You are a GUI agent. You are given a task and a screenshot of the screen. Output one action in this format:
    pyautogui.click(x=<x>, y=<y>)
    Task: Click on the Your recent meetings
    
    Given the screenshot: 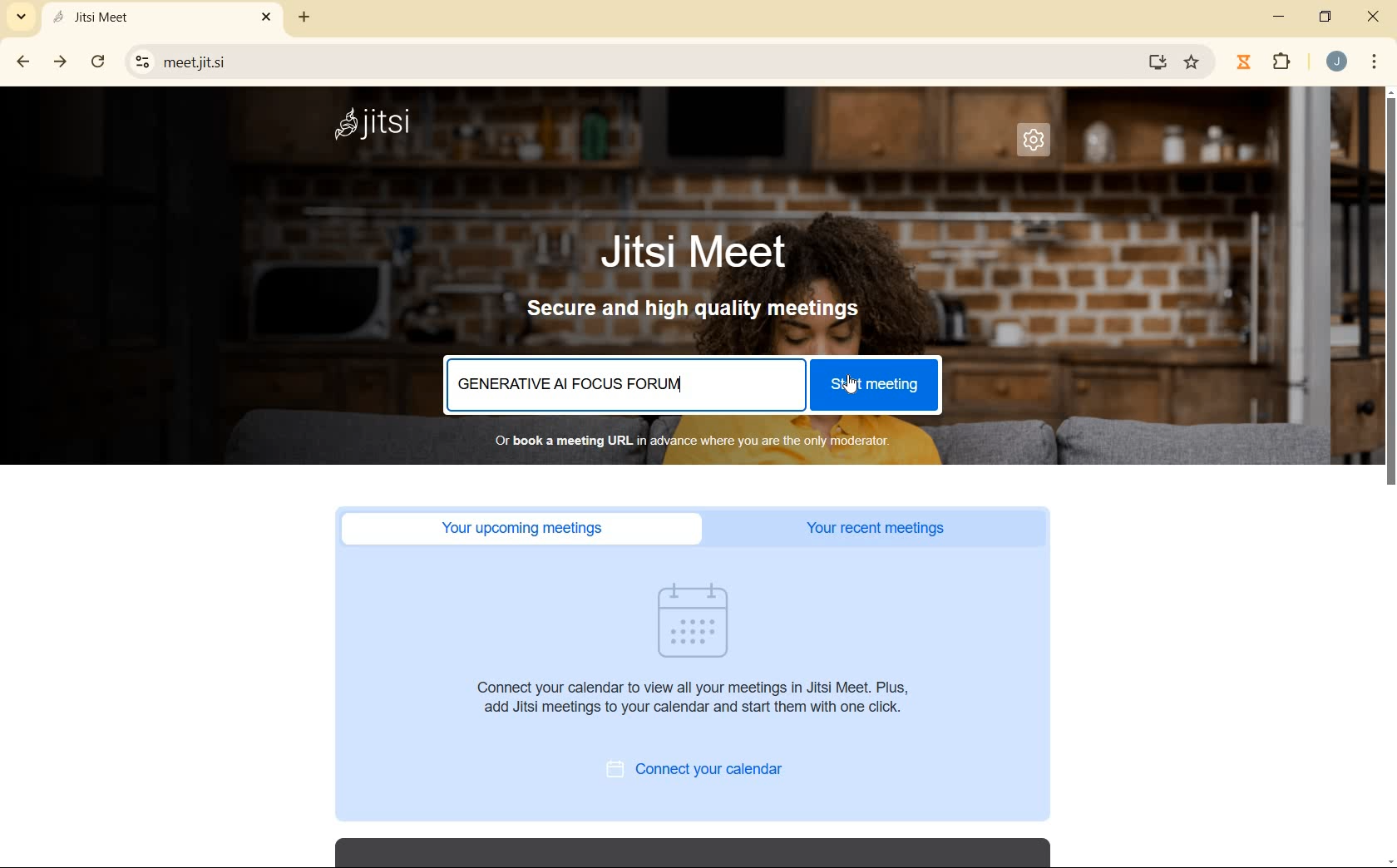 What is the action you would take?
    pyautogui.click(x=884, y=529)
    